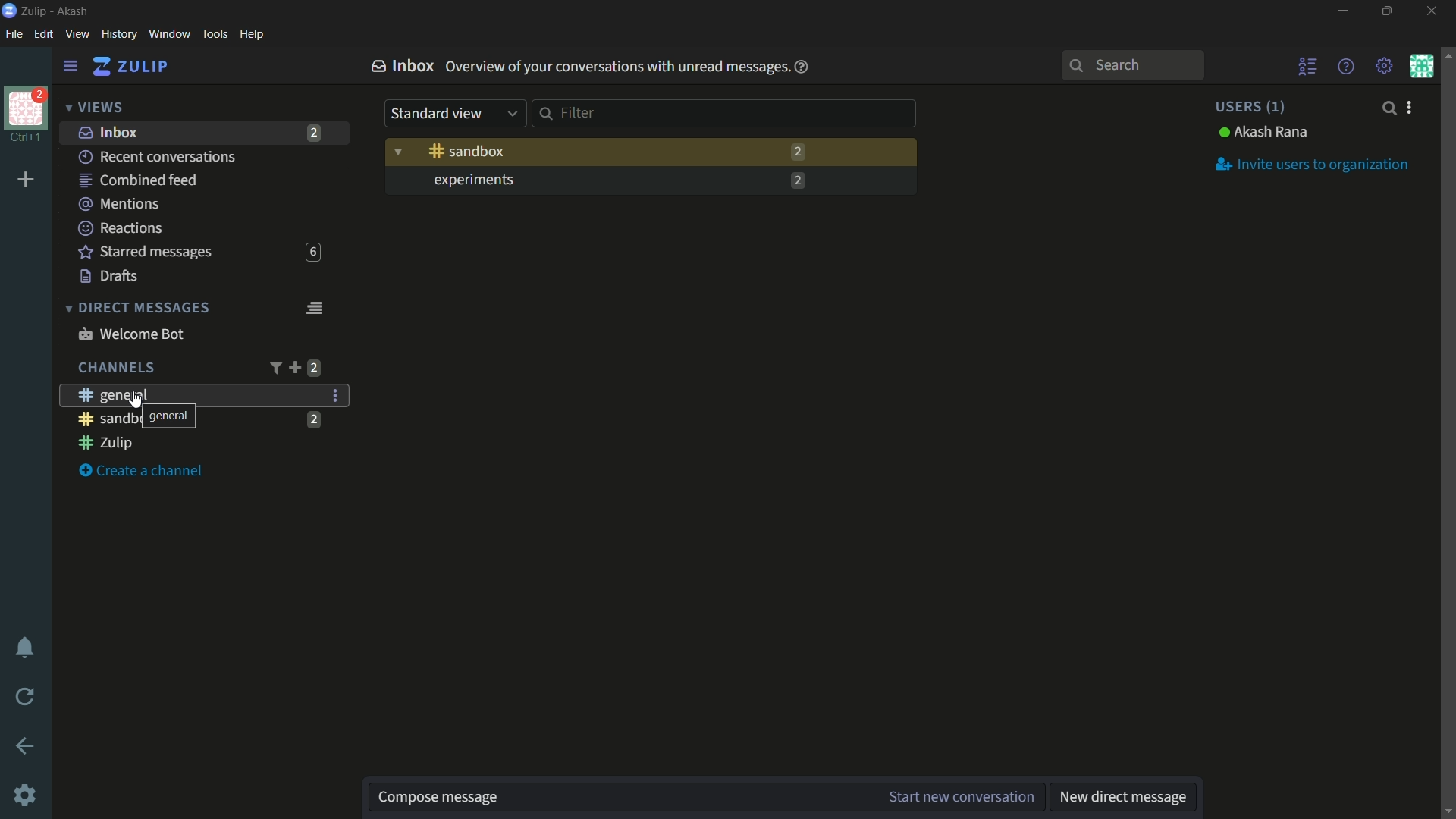 The width and height of the screenshot is (1456, 819). What do you see at coordinates (169, 34) in the screenshot?
I see `window menu` at bounding box center [169, 34].